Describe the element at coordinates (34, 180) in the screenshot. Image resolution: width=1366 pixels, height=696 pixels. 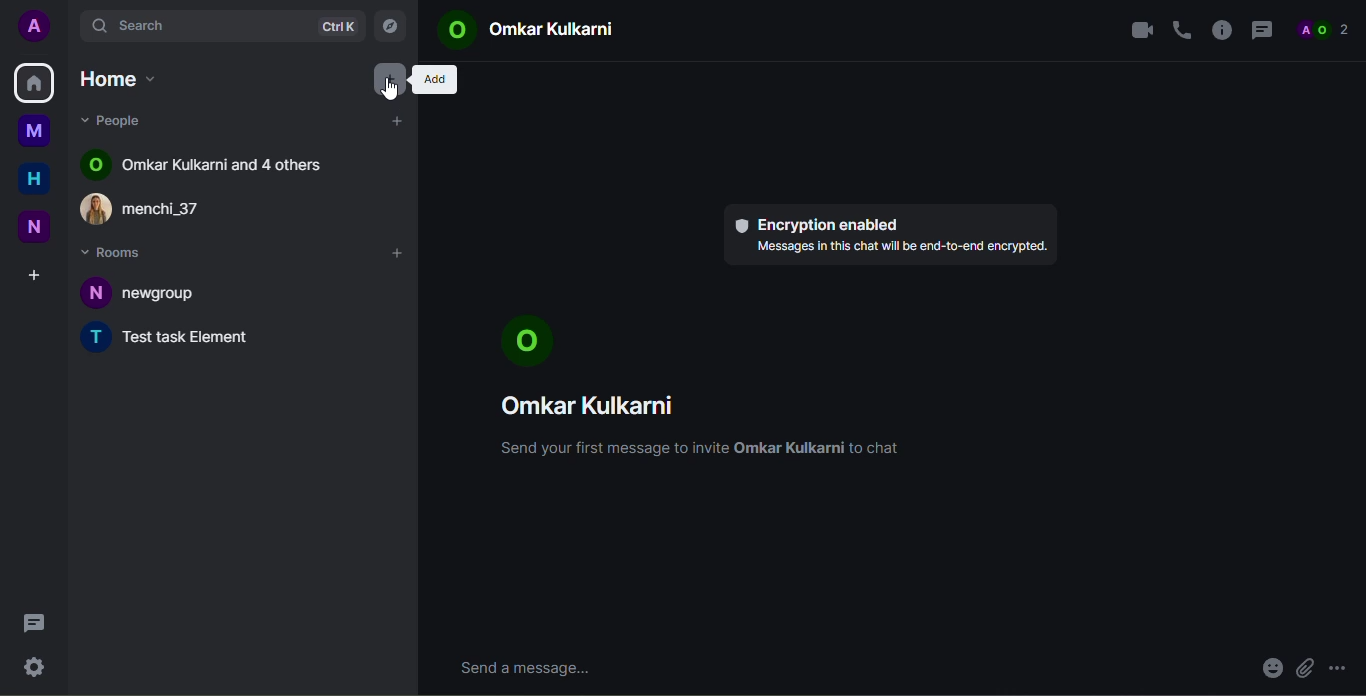
I see `home` at that location.